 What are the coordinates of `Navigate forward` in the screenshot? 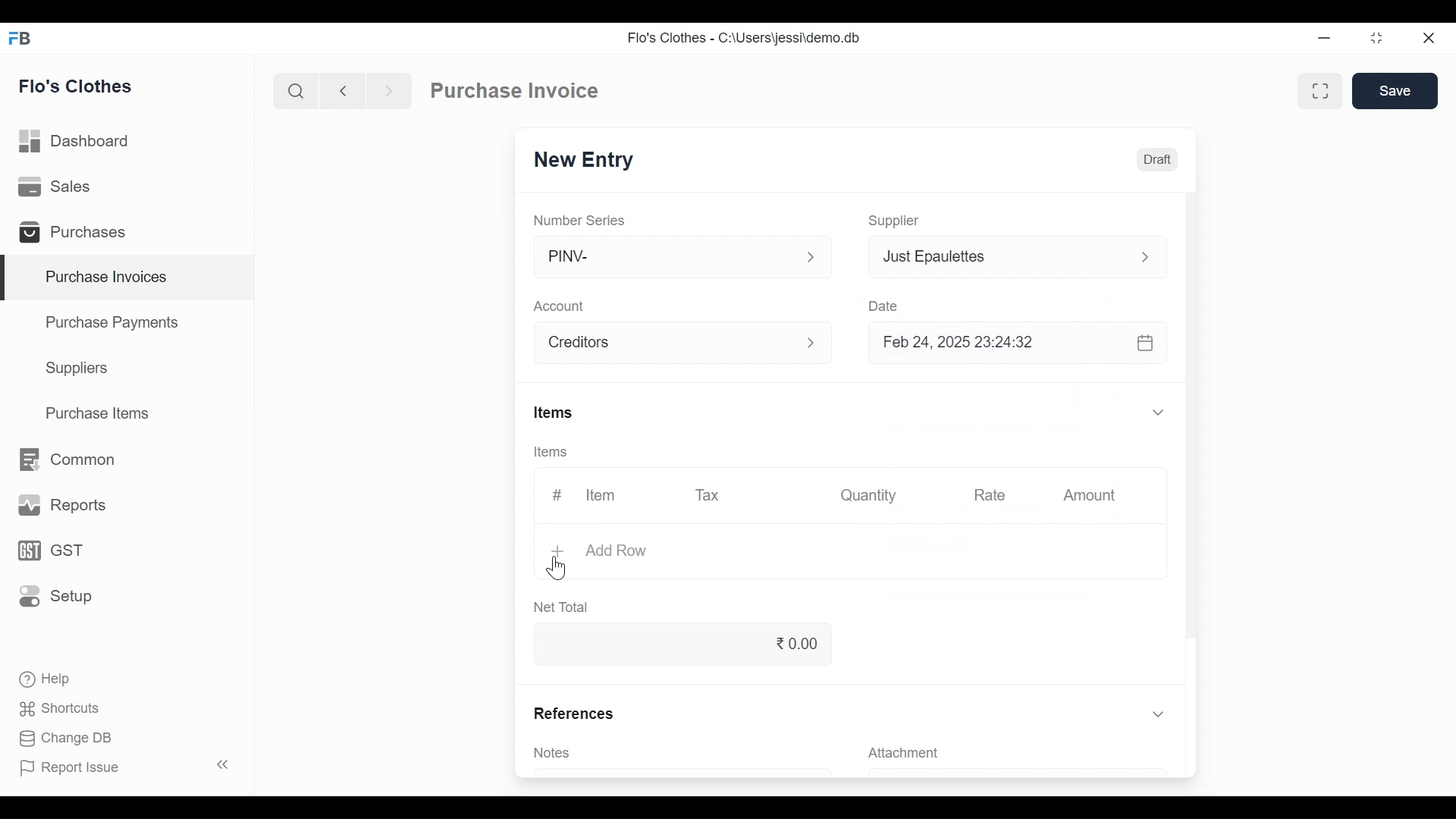 It's located at (388, 91).